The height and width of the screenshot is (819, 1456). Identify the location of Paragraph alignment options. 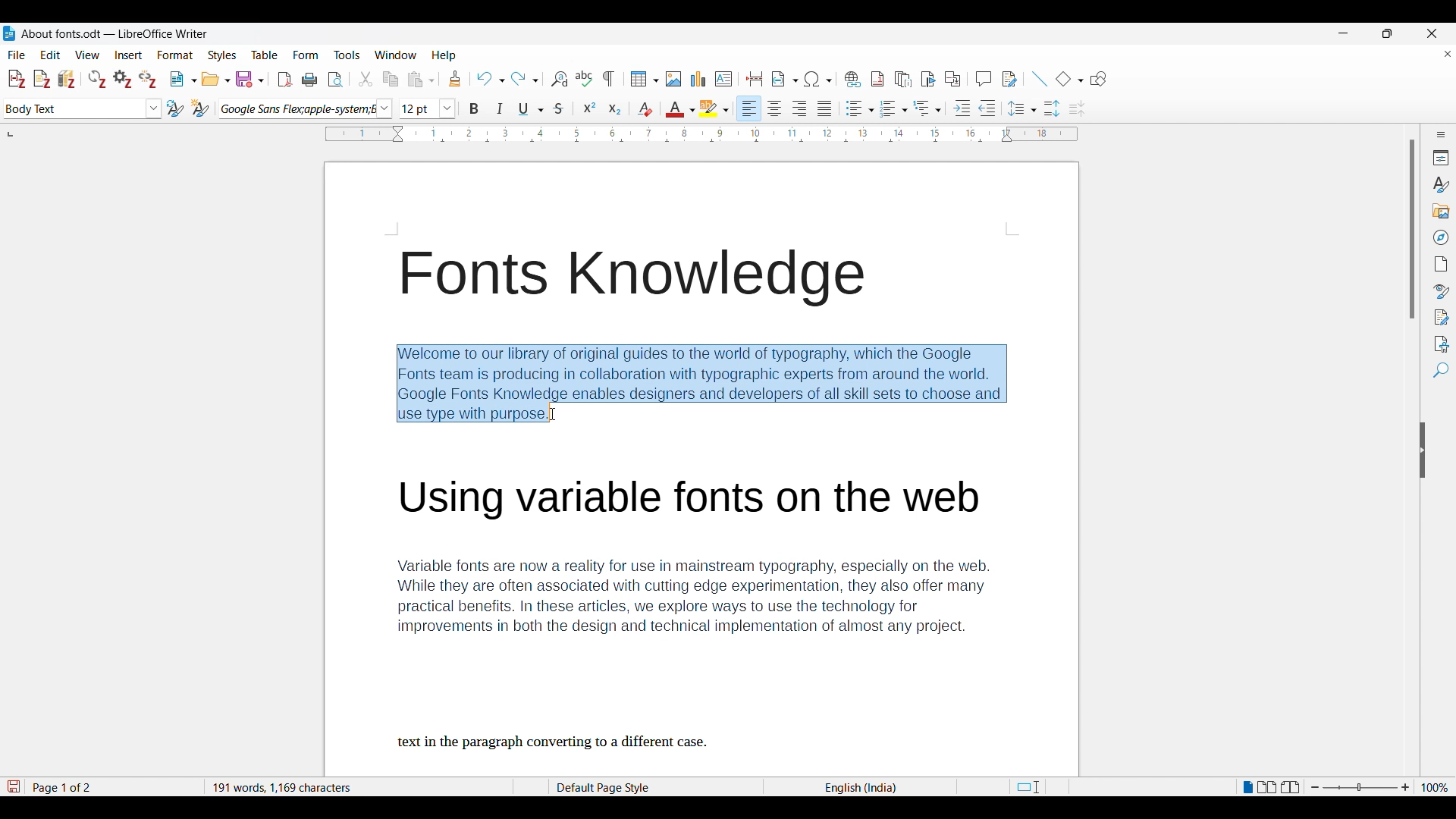
(786, 108).